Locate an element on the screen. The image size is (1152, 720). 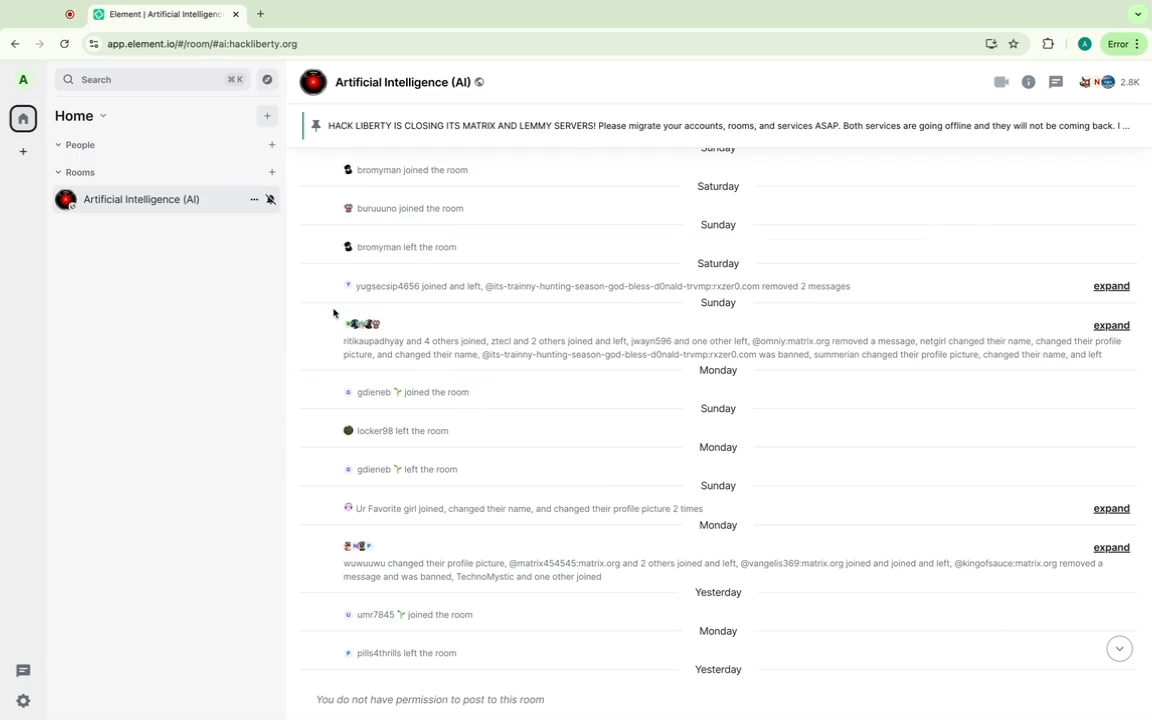
profile pictures is located at coordinates (360, 545).